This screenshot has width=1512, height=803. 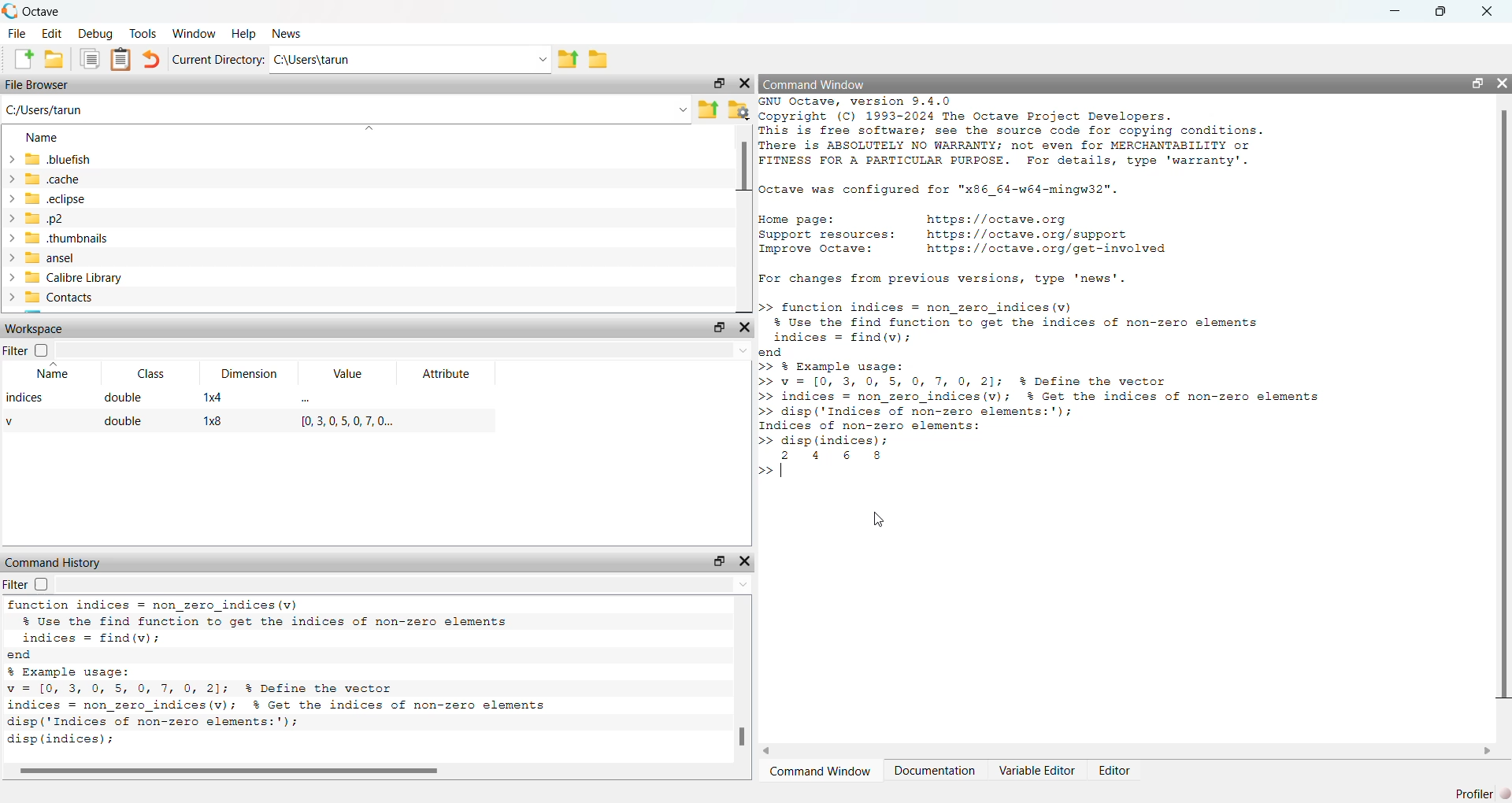 I want to click on Class, so click(x=152, y=373).